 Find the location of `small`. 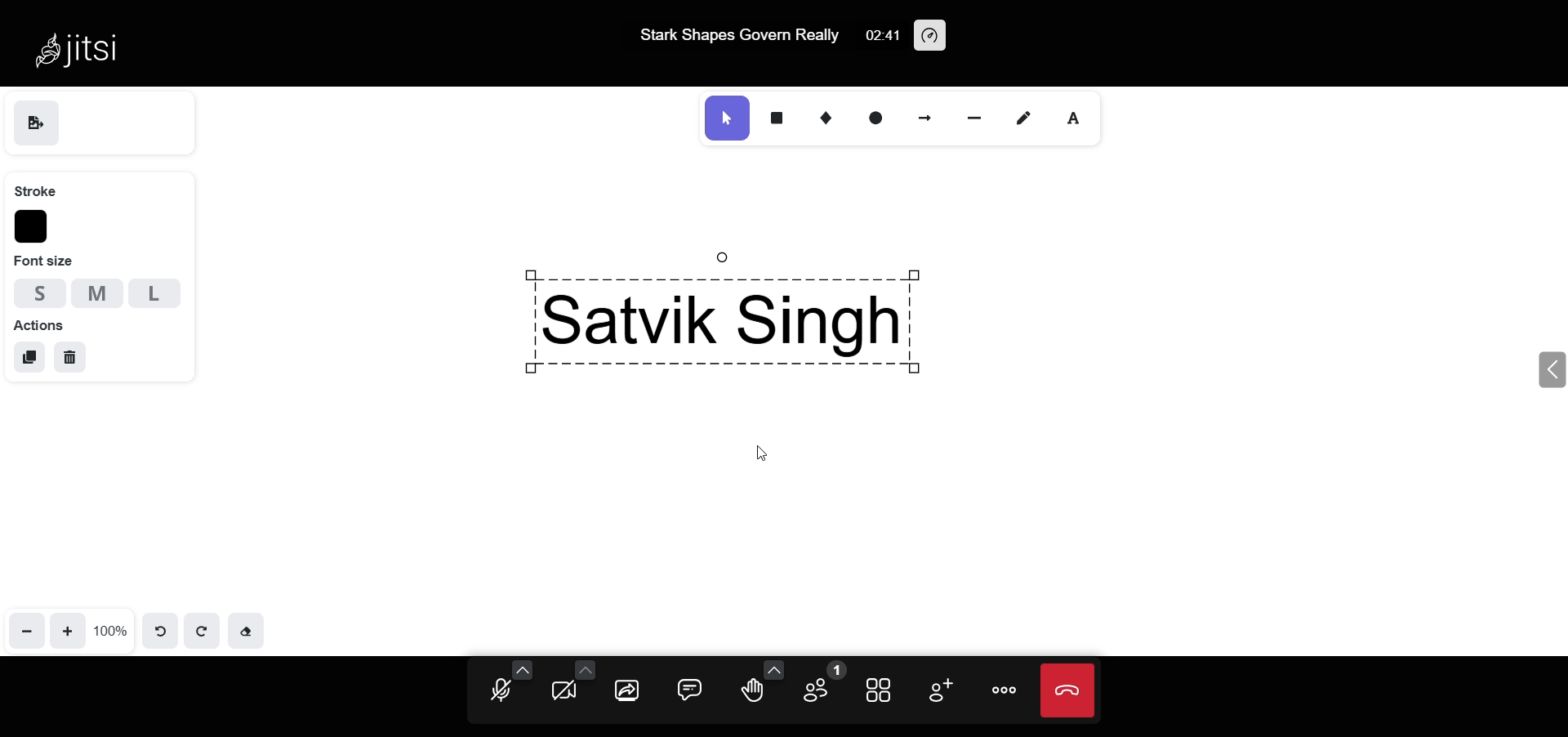

small is located at coordinates (34, 291).